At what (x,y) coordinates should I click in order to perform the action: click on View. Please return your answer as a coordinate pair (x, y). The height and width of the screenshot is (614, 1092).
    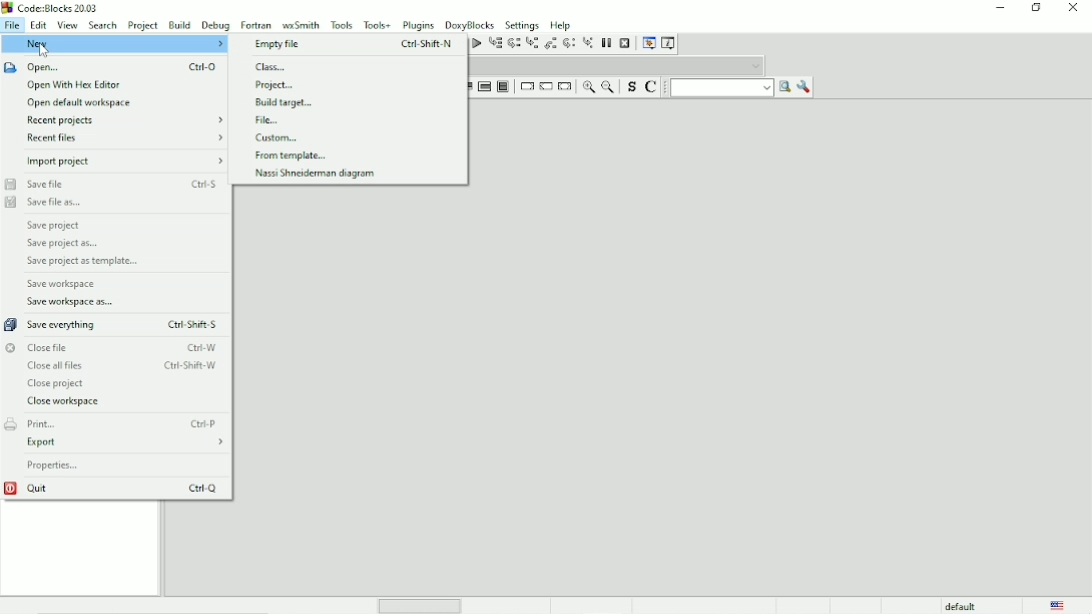
    Looking at the image, I should click on (67, 25).